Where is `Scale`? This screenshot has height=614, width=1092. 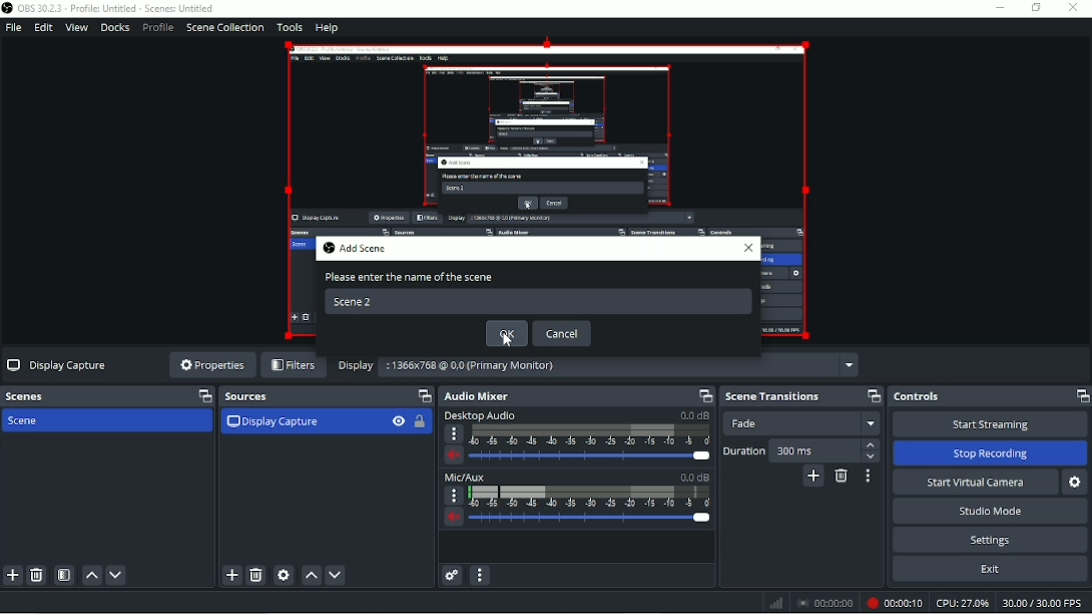
Scale is located at coordinates (589, 497).